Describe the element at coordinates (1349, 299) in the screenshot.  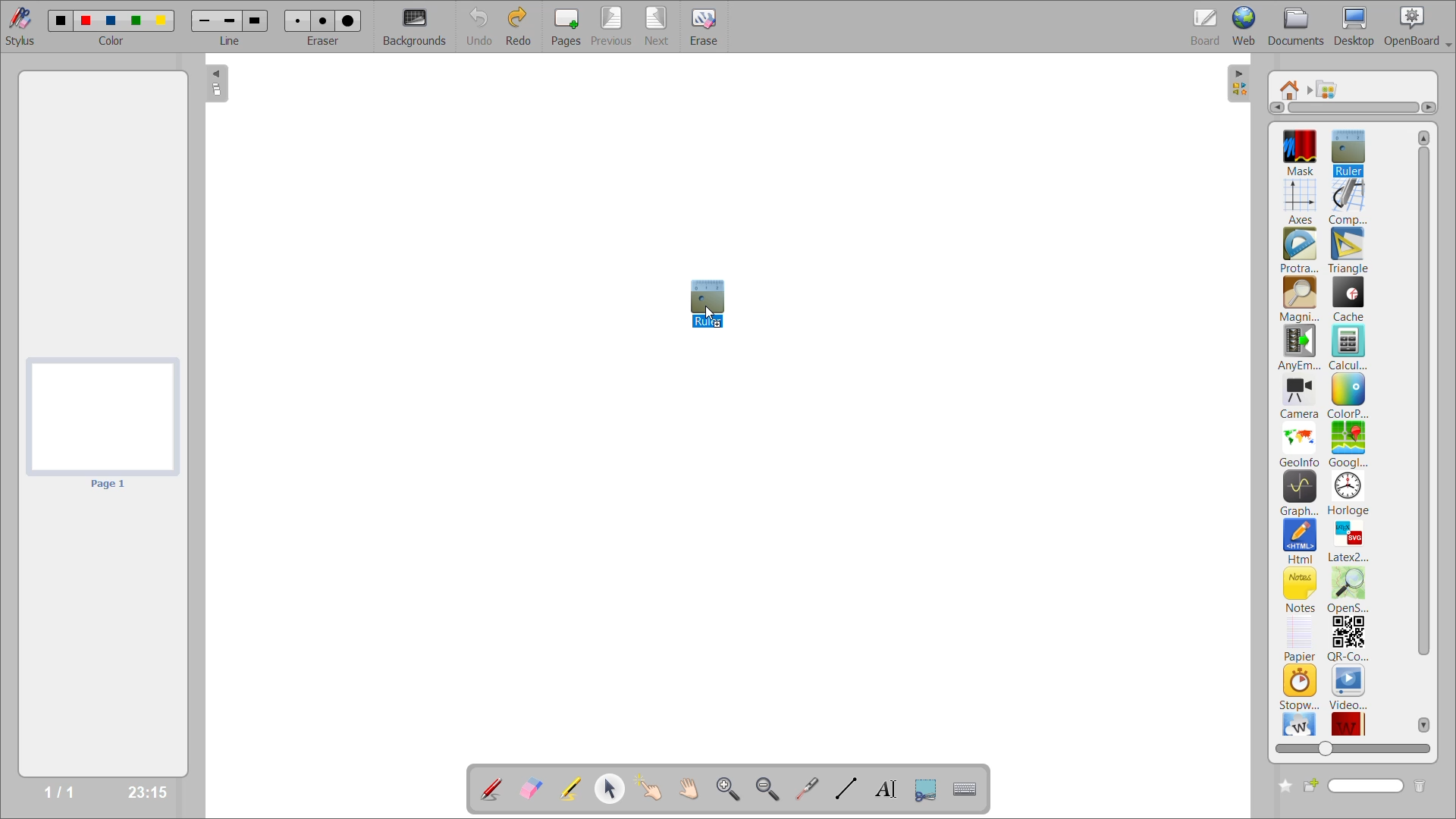
I see `cache` at that location.